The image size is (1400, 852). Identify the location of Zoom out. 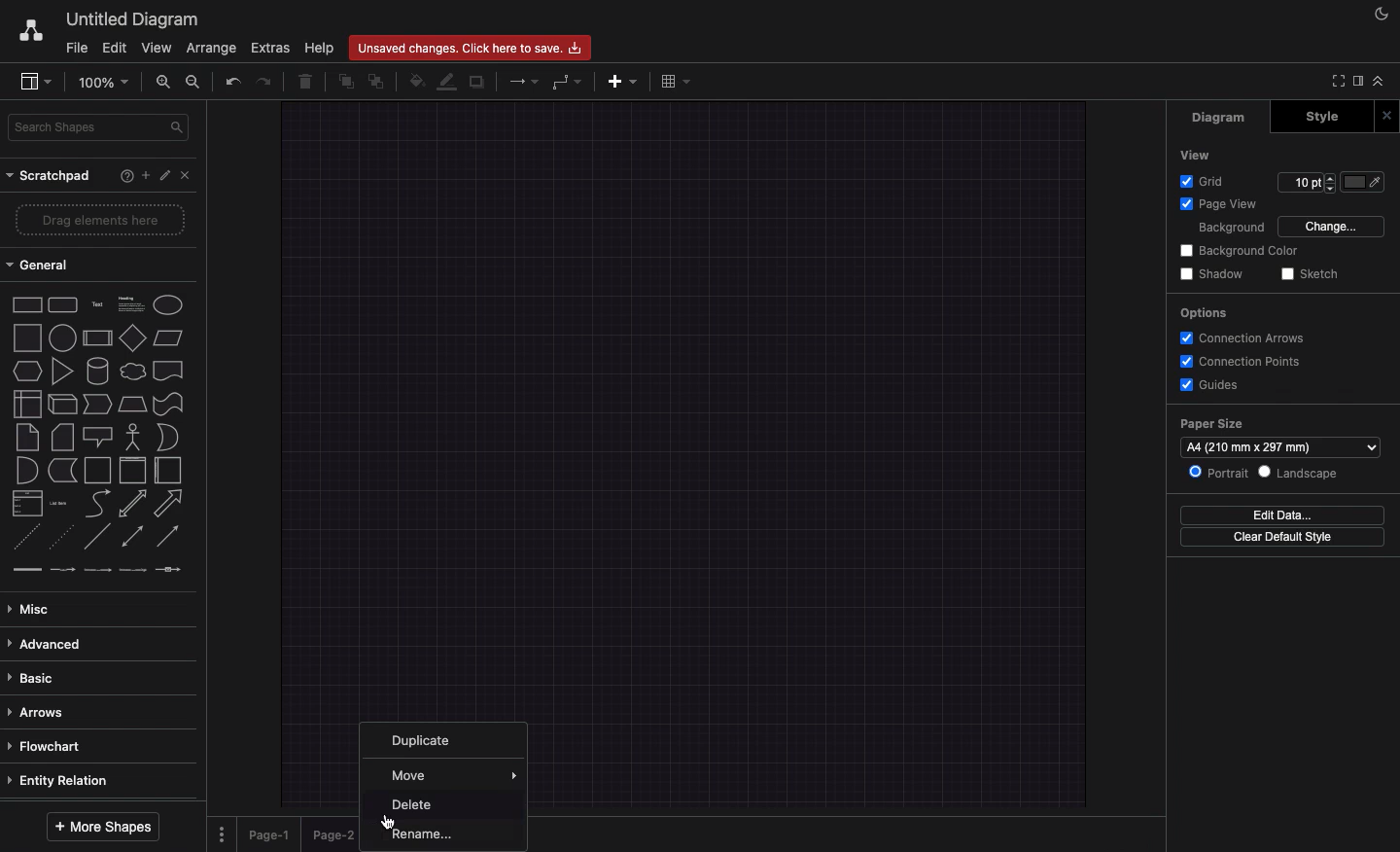
(193, 81).